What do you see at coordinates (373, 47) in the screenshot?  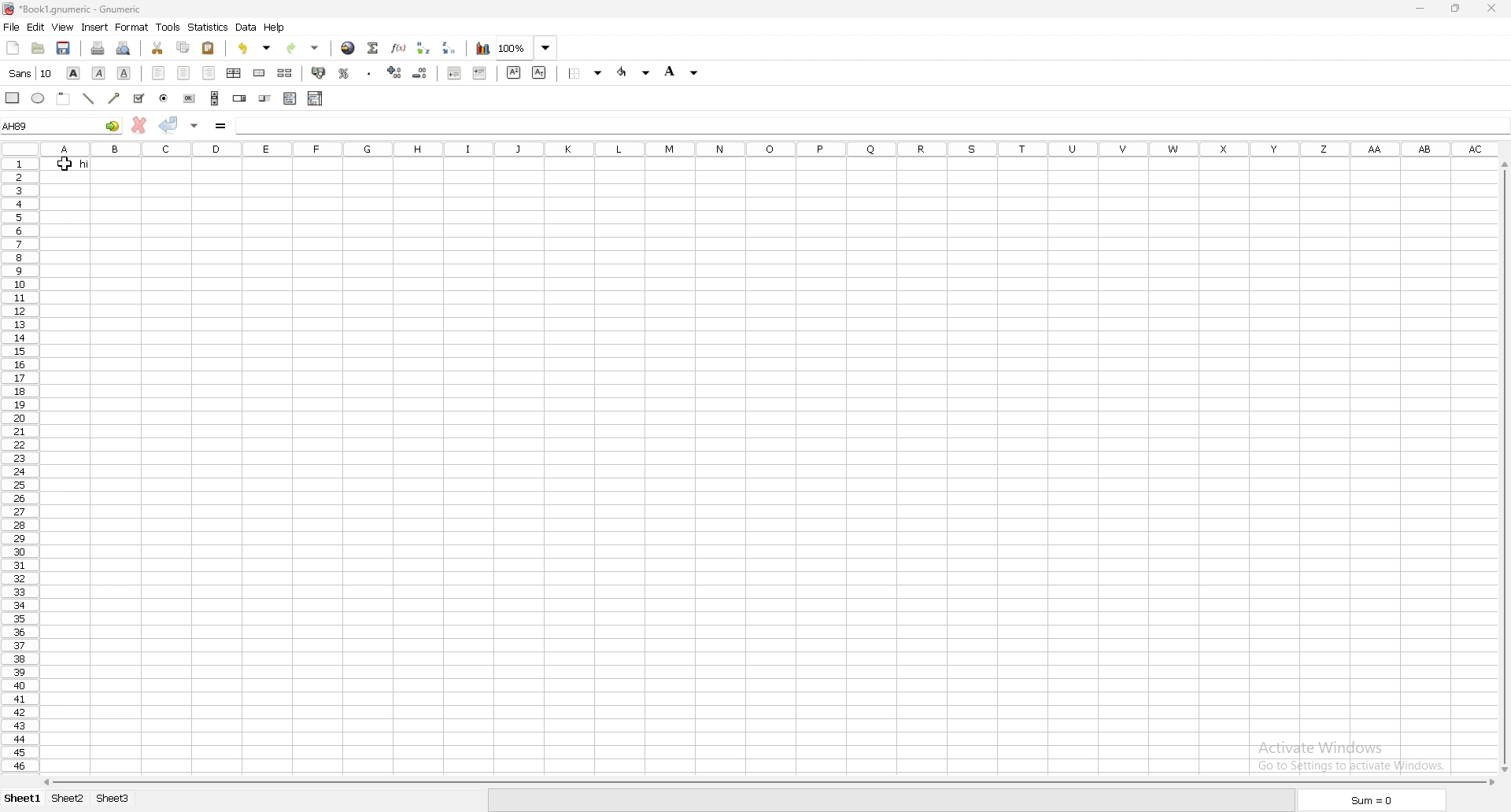 I see `summation` at bounding box center [373, 47].